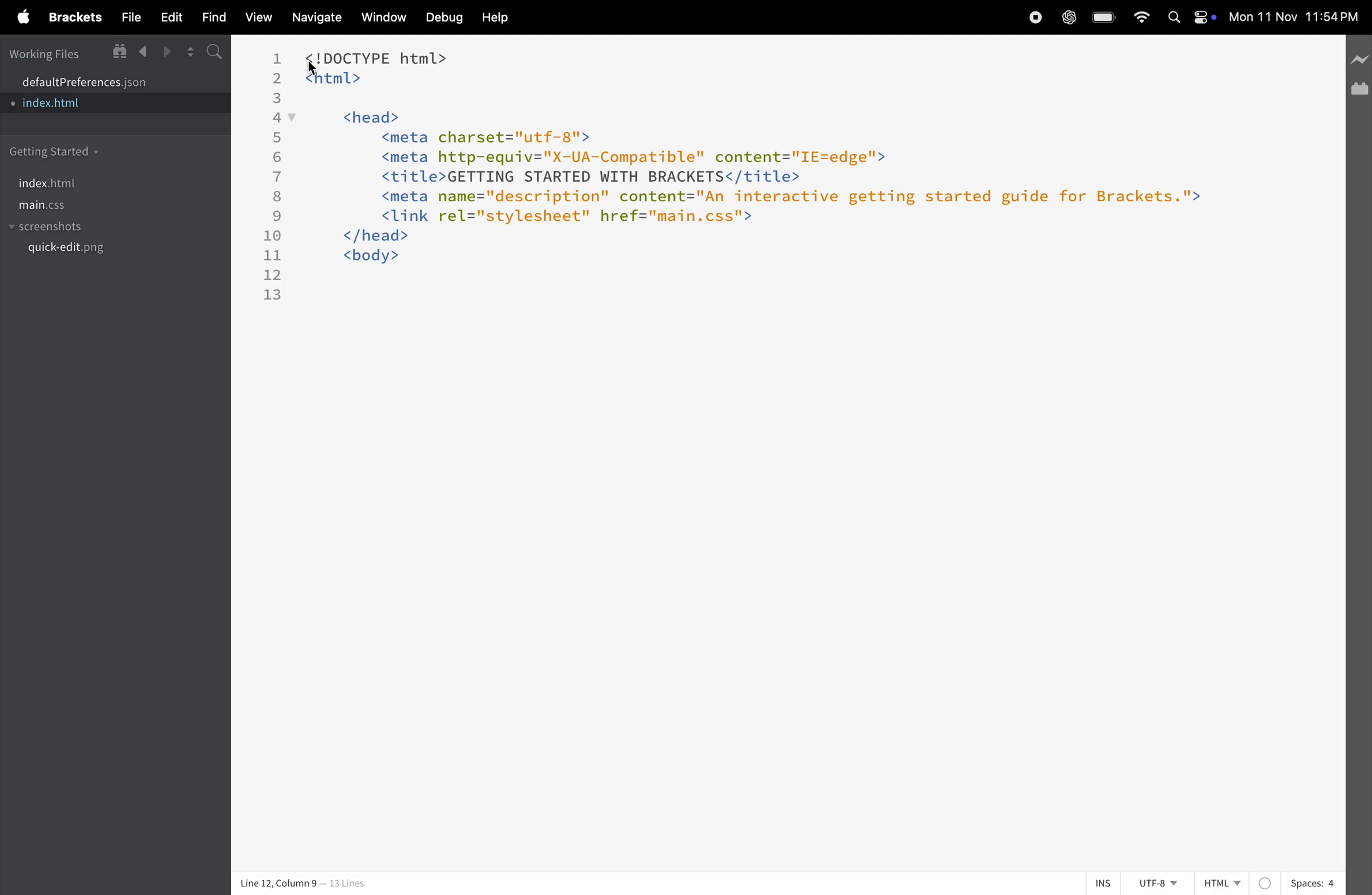  Describe the element at coordinates (1107, 17) in the screenshot. I see `battery` at that location.